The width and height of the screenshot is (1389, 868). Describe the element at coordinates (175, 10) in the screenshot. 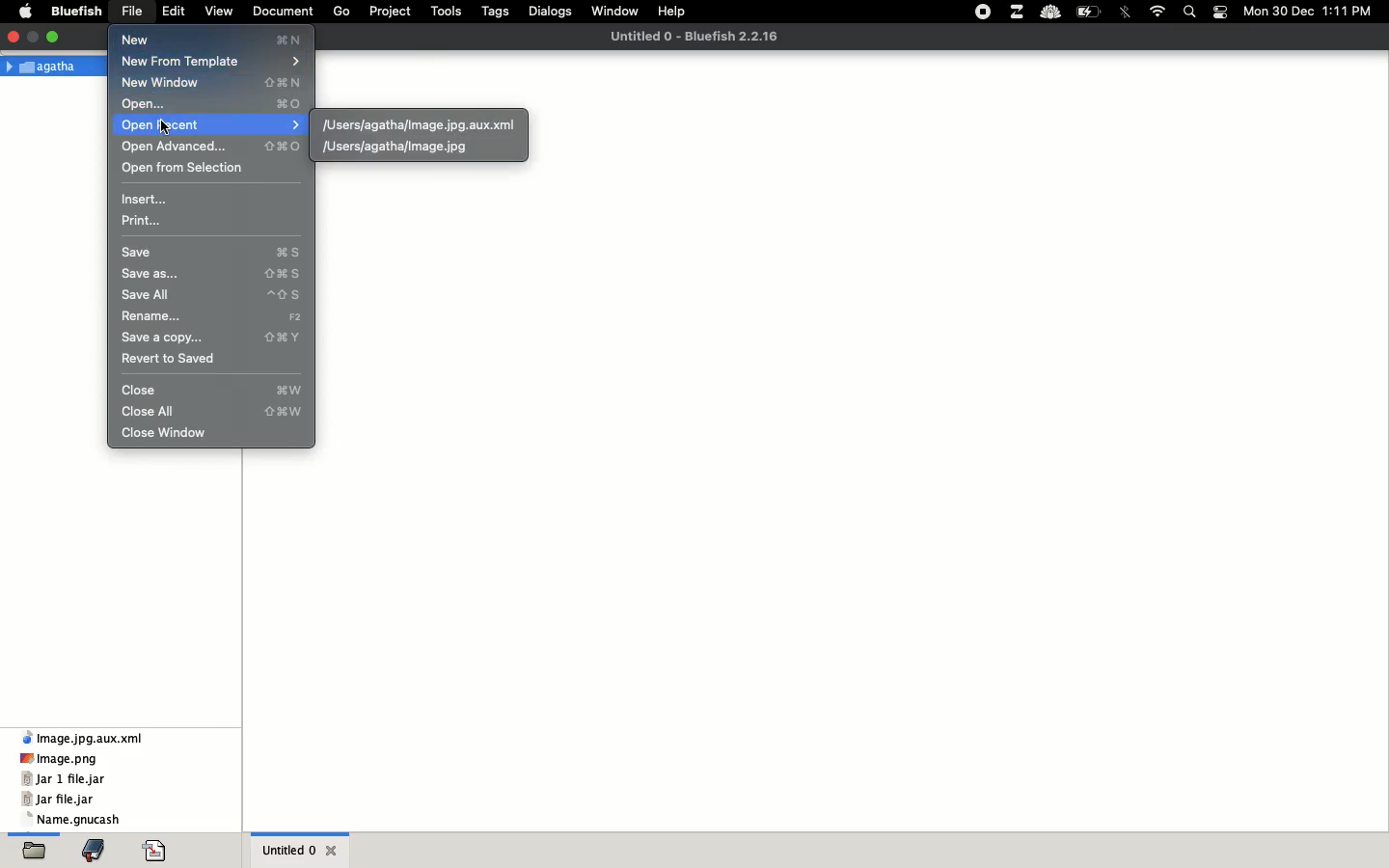

I see `edit` at that location.